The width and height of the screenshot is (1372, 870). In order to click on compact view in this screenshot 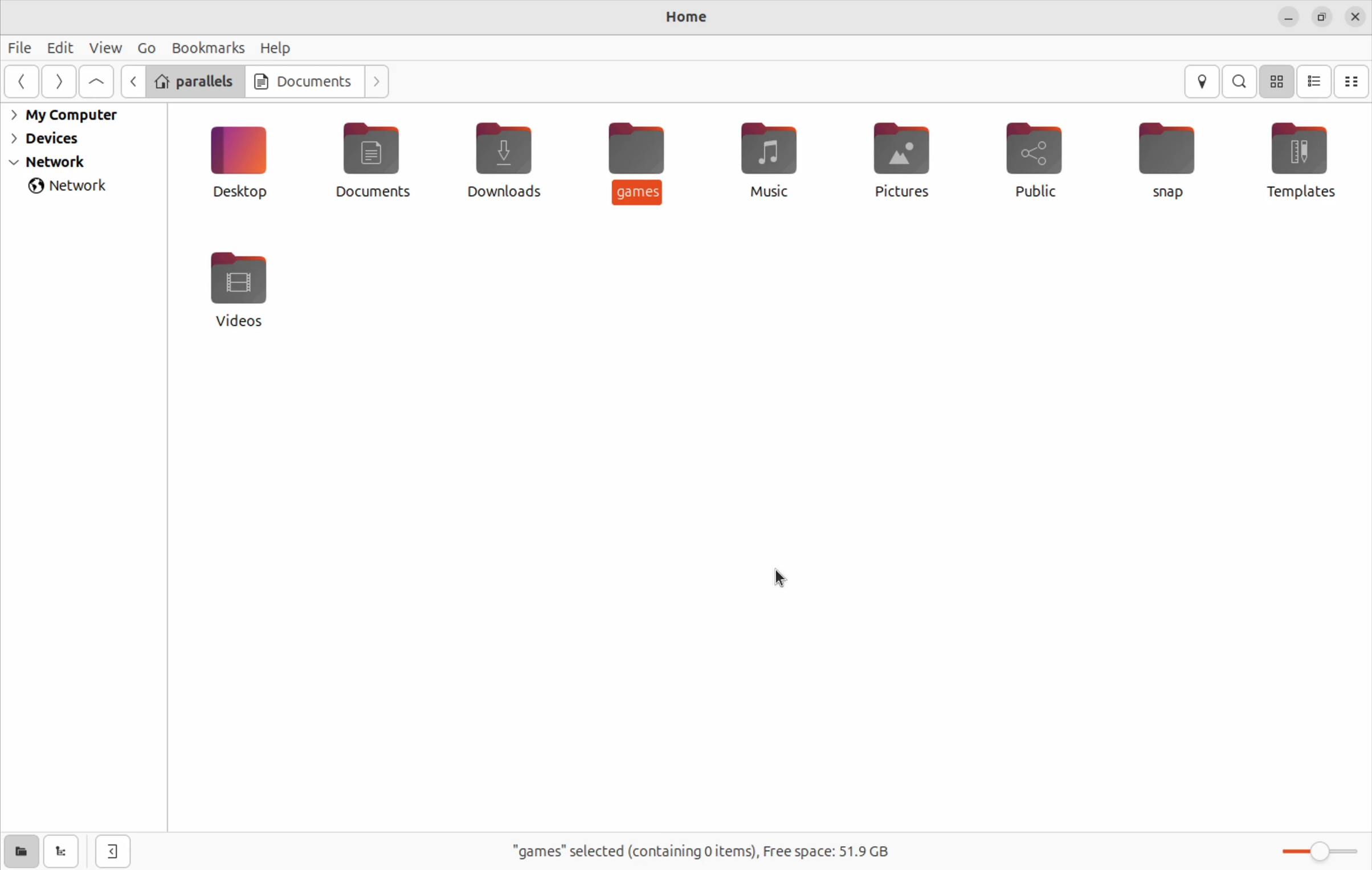, I will do `click(1354, 81)`.